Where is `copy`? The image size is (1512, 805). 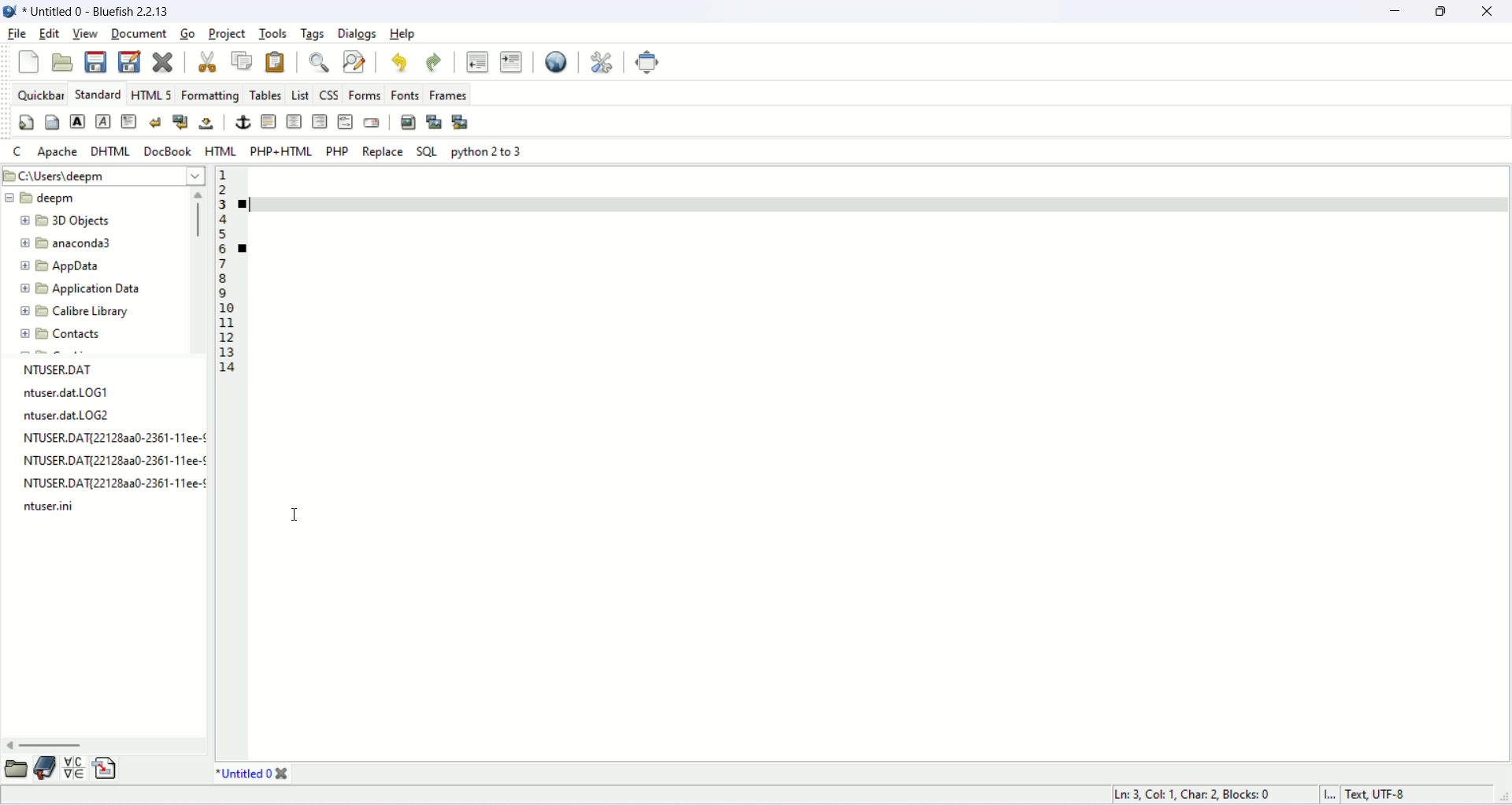
copy is located at coordinates (244, 61).